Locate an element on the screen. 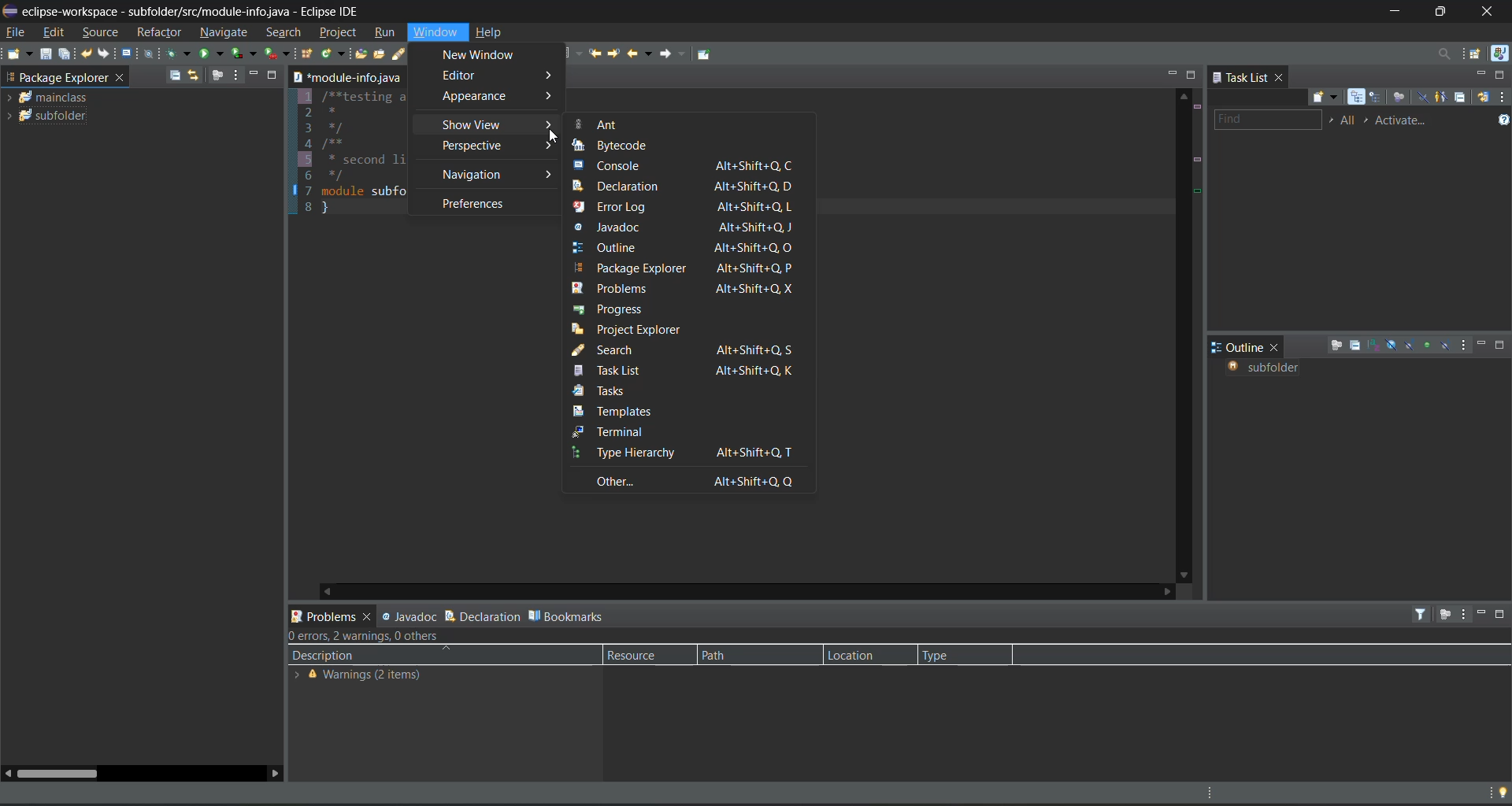 This screenshot has width=1512, height=806. minimize is located at coordinates (1393, 12).